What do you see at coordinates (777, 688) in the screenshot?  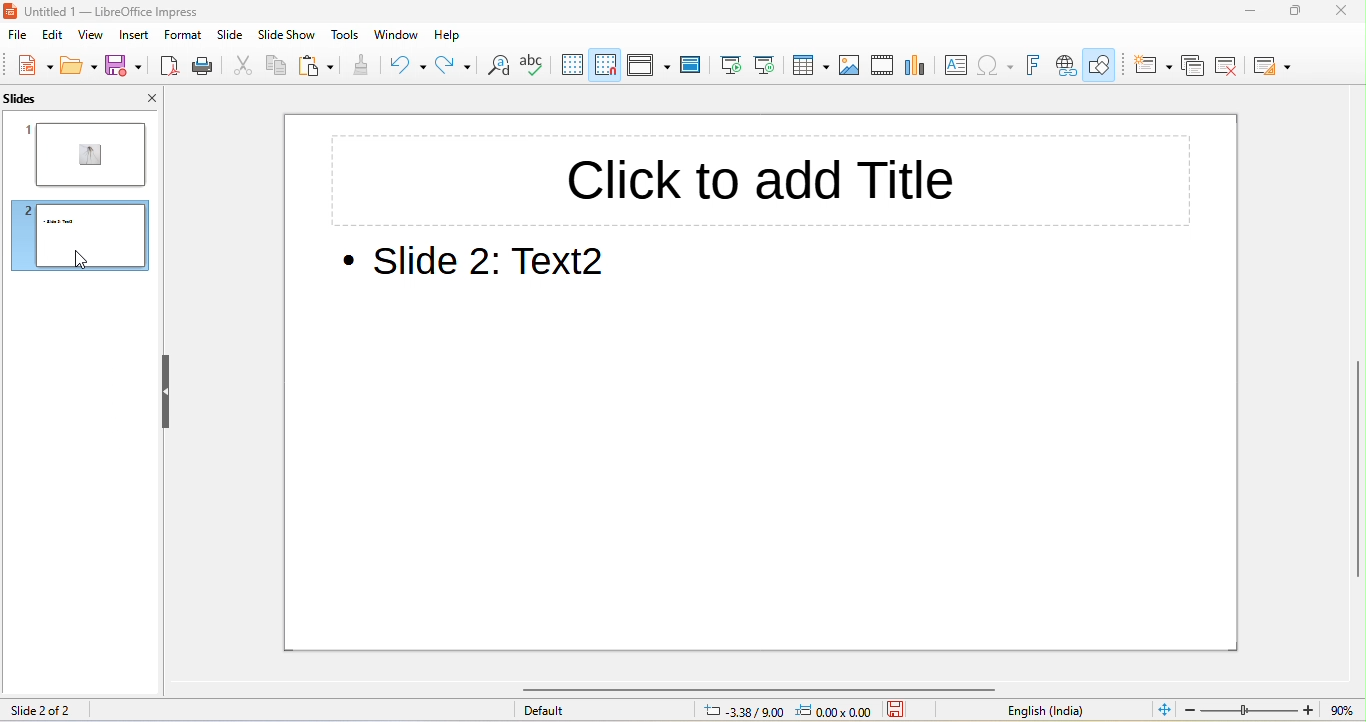 I see `horizontal scroll bar` at bounding box center [777, 688].